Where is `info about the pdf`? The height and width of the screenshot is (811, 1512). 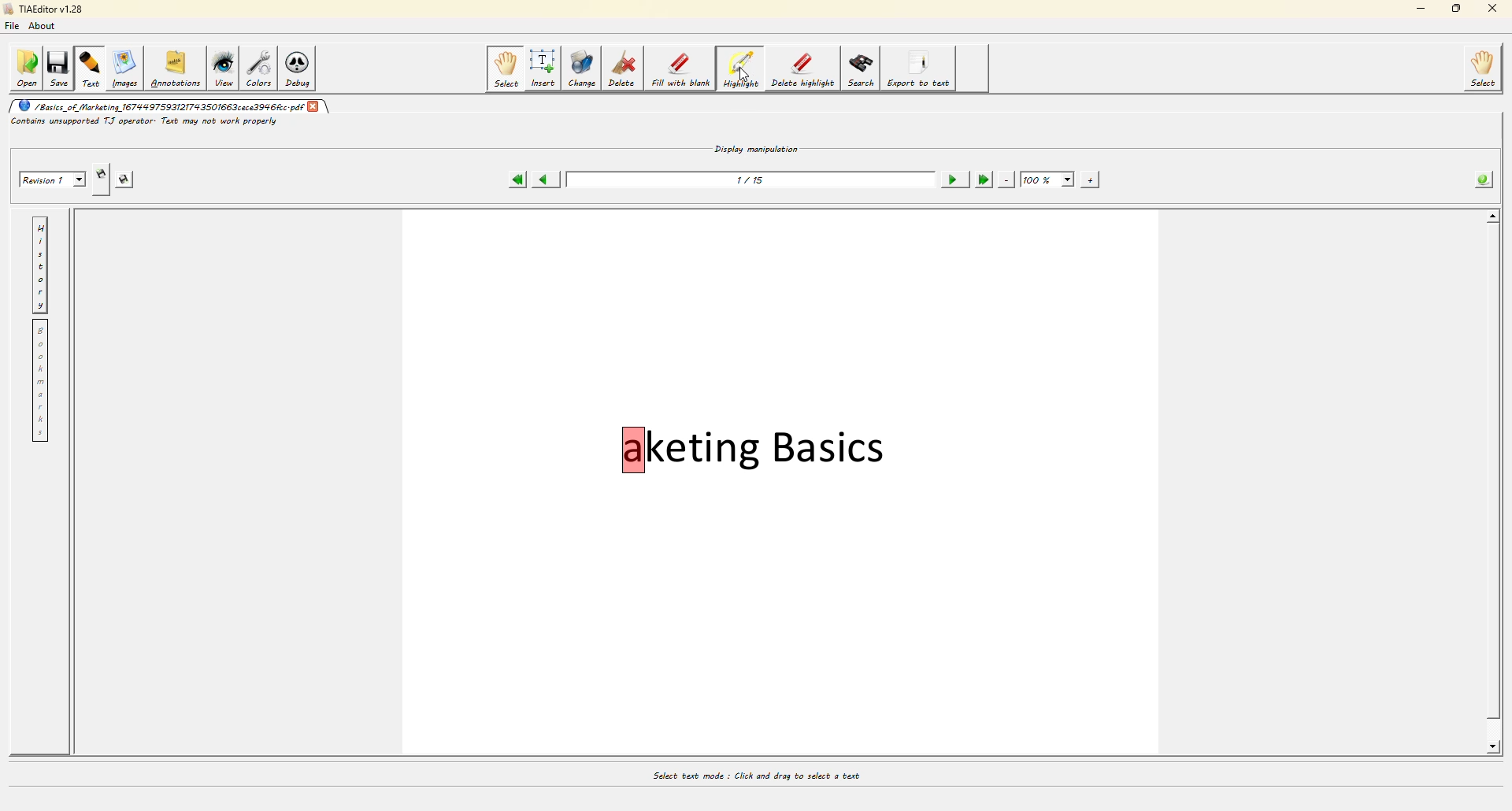 info about the pdf is located at coordinates (1480, 179).